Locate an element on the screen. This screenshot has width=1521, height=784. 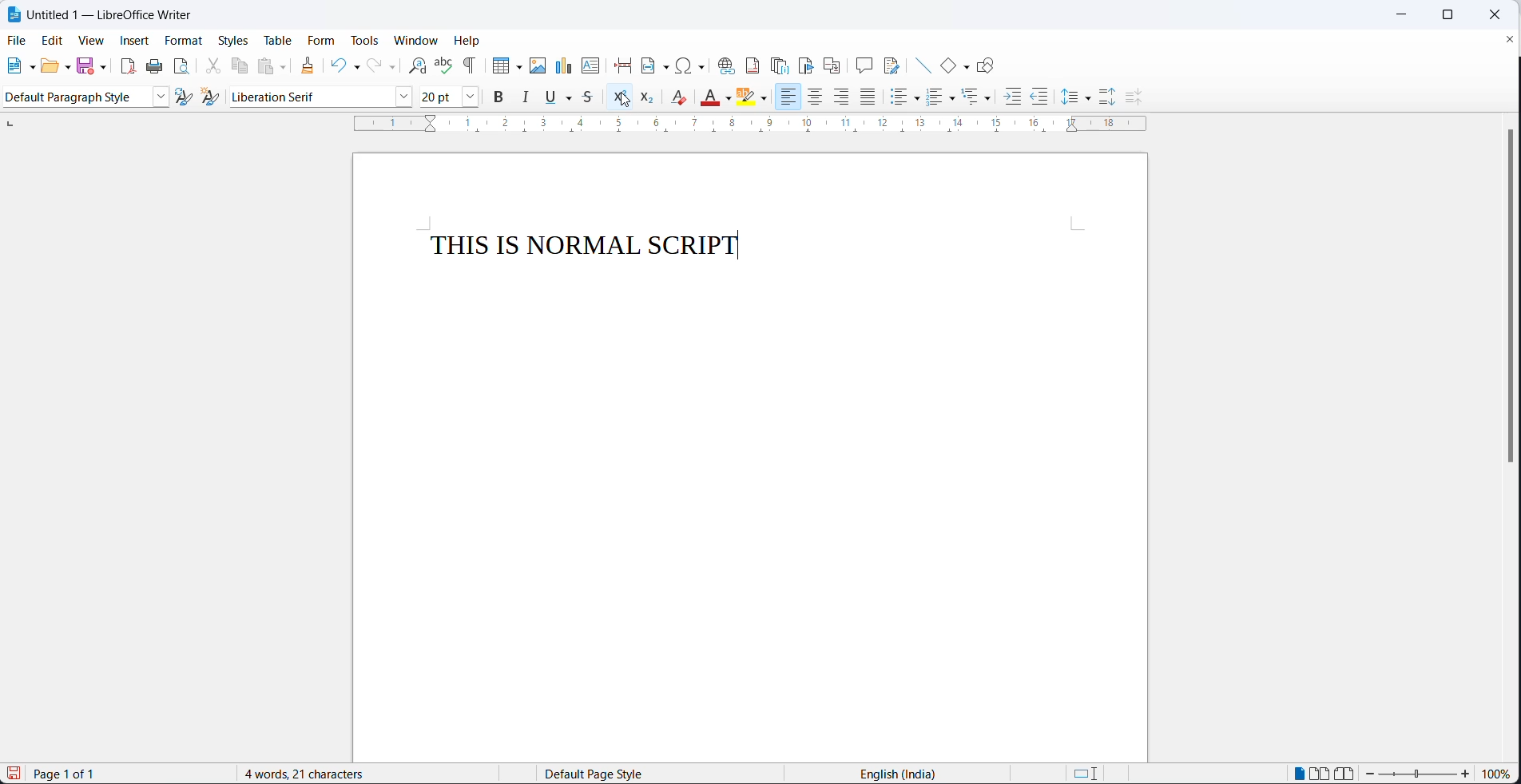
insert comments is located at coordinates (864, 63).